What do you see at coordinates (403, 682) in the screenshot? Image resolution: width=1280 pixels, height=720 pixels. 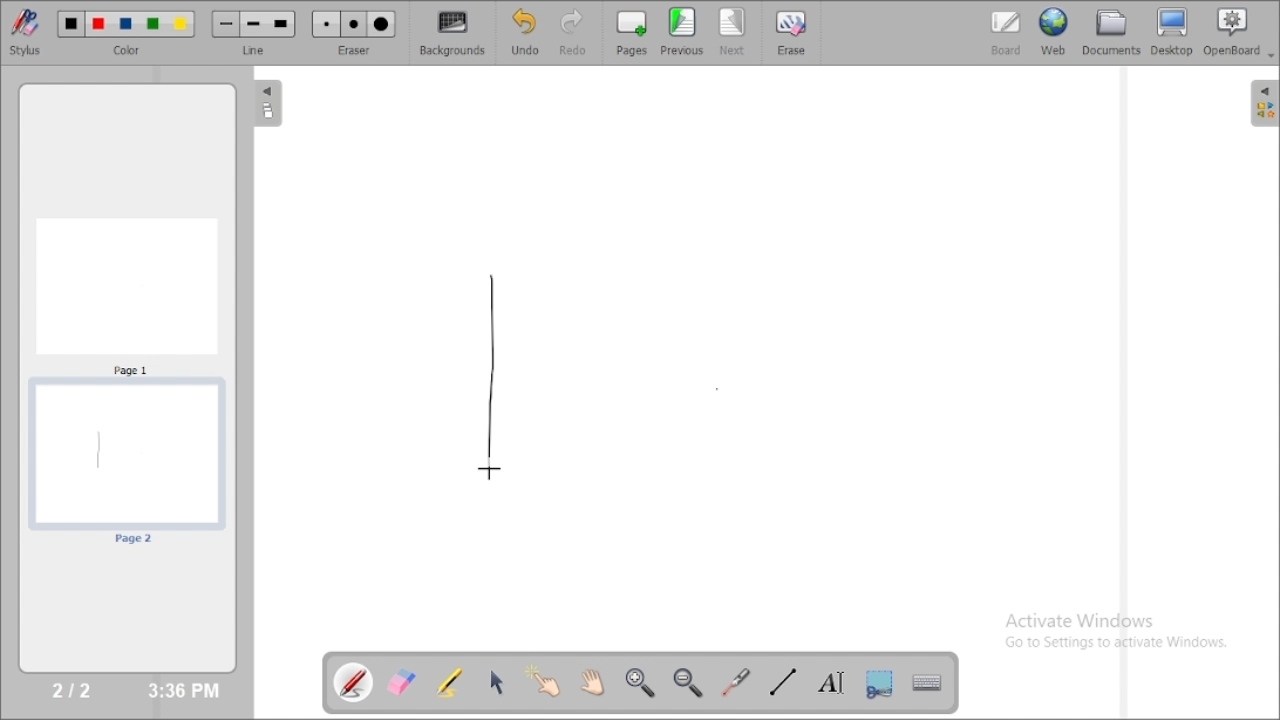 I see `erase annotation` at bounding box center [403, 682].